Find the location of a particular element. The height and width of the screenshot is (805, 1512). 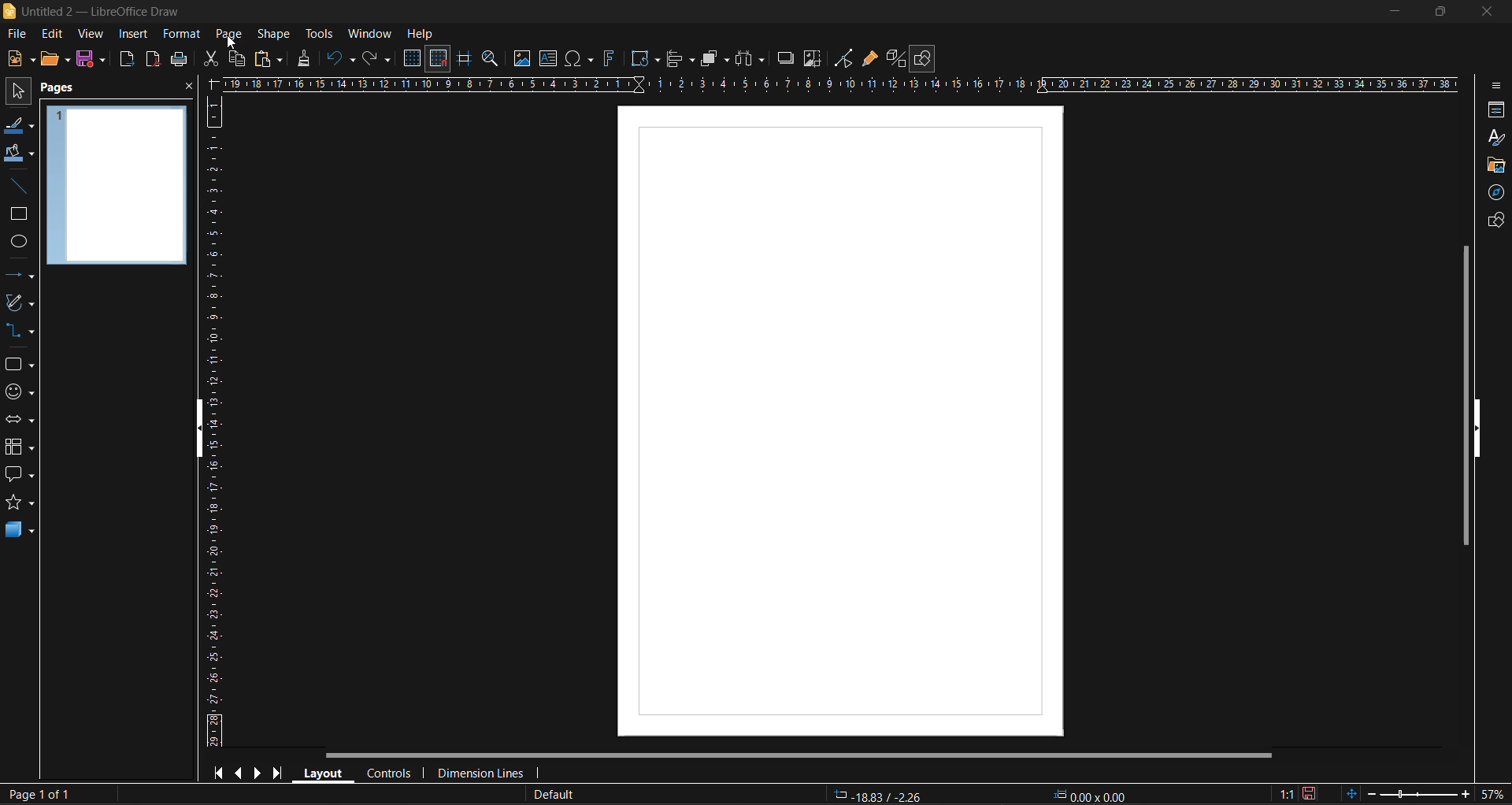

lines and arrows is located at coordinates (20, 276).